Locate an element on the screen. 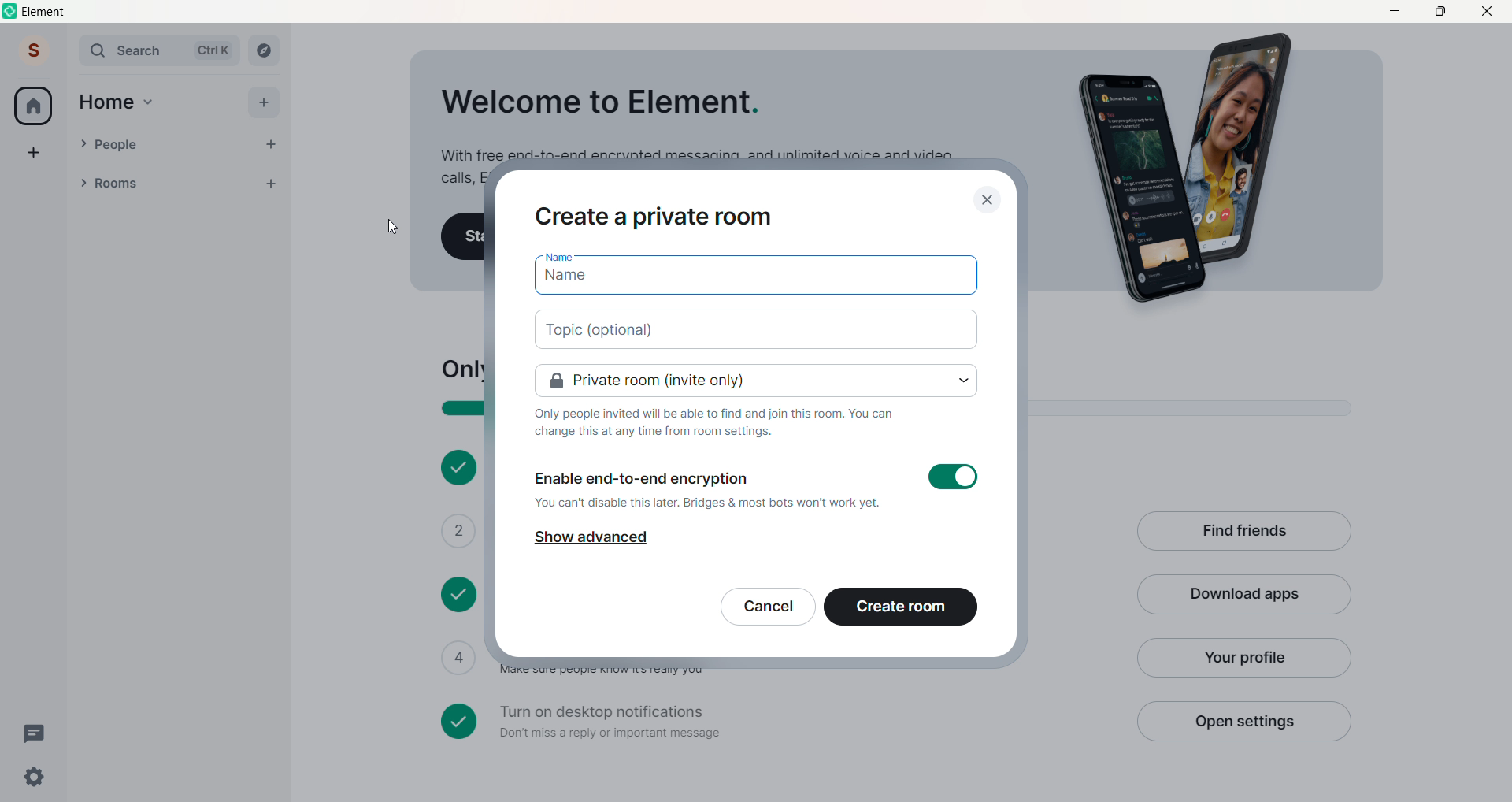  people Drop down is located at coordinates (83, 143).